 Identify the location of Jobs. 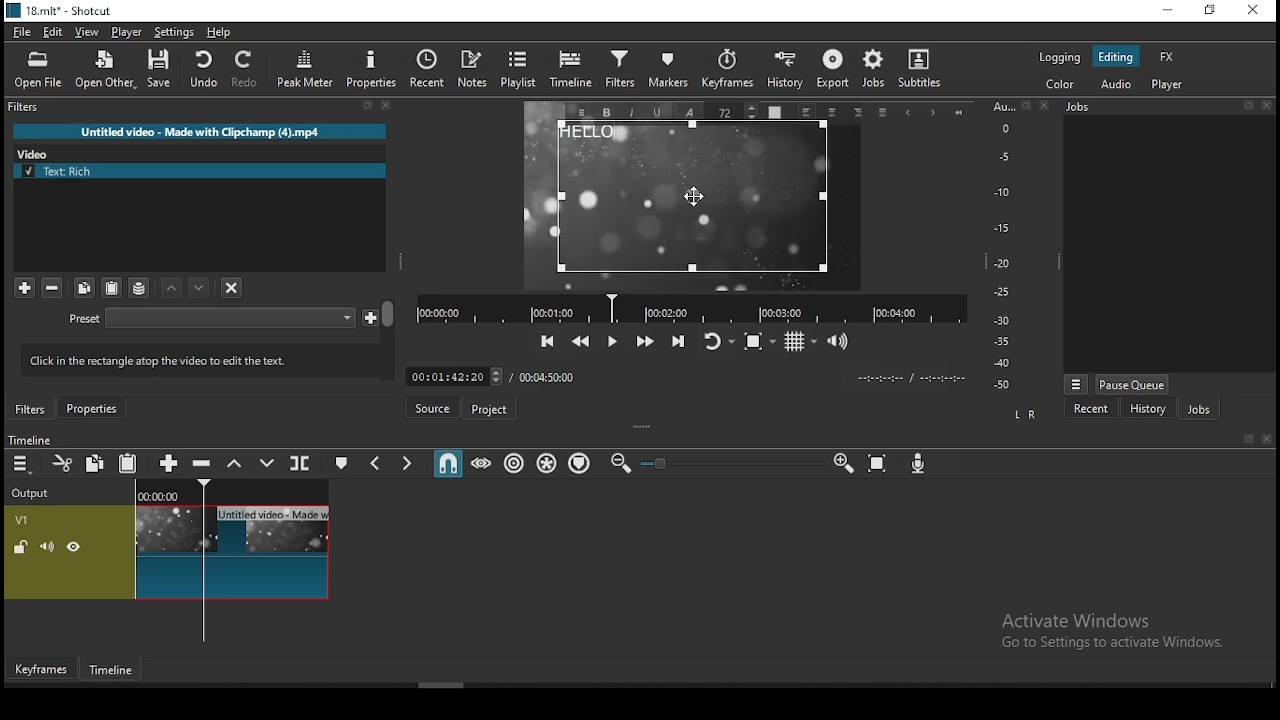
(1078, 107).